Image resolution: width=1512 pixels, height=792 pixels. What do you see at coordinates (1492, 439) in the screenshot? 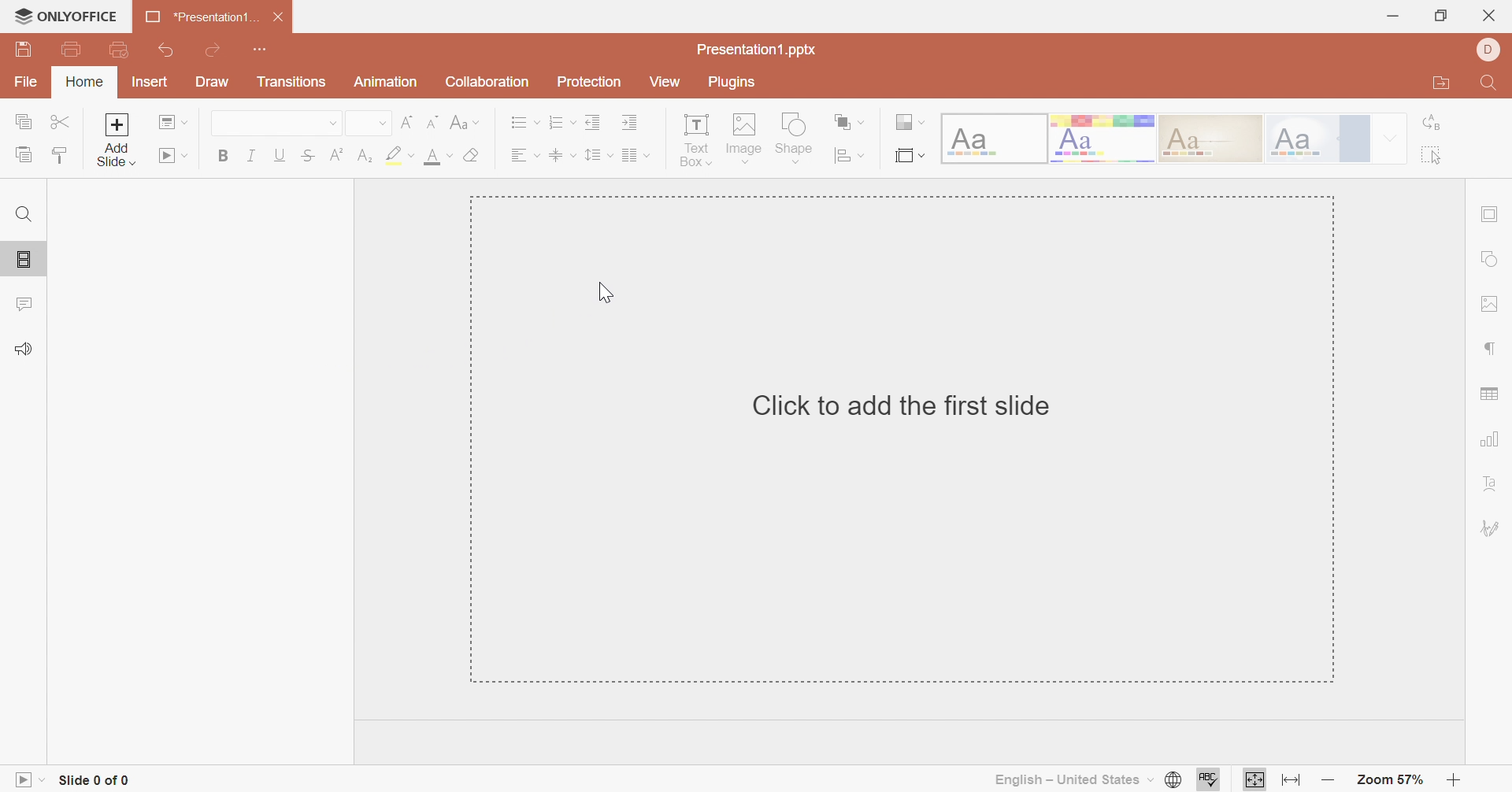
I see `Chart settings` at bounding box center [1492, 439].